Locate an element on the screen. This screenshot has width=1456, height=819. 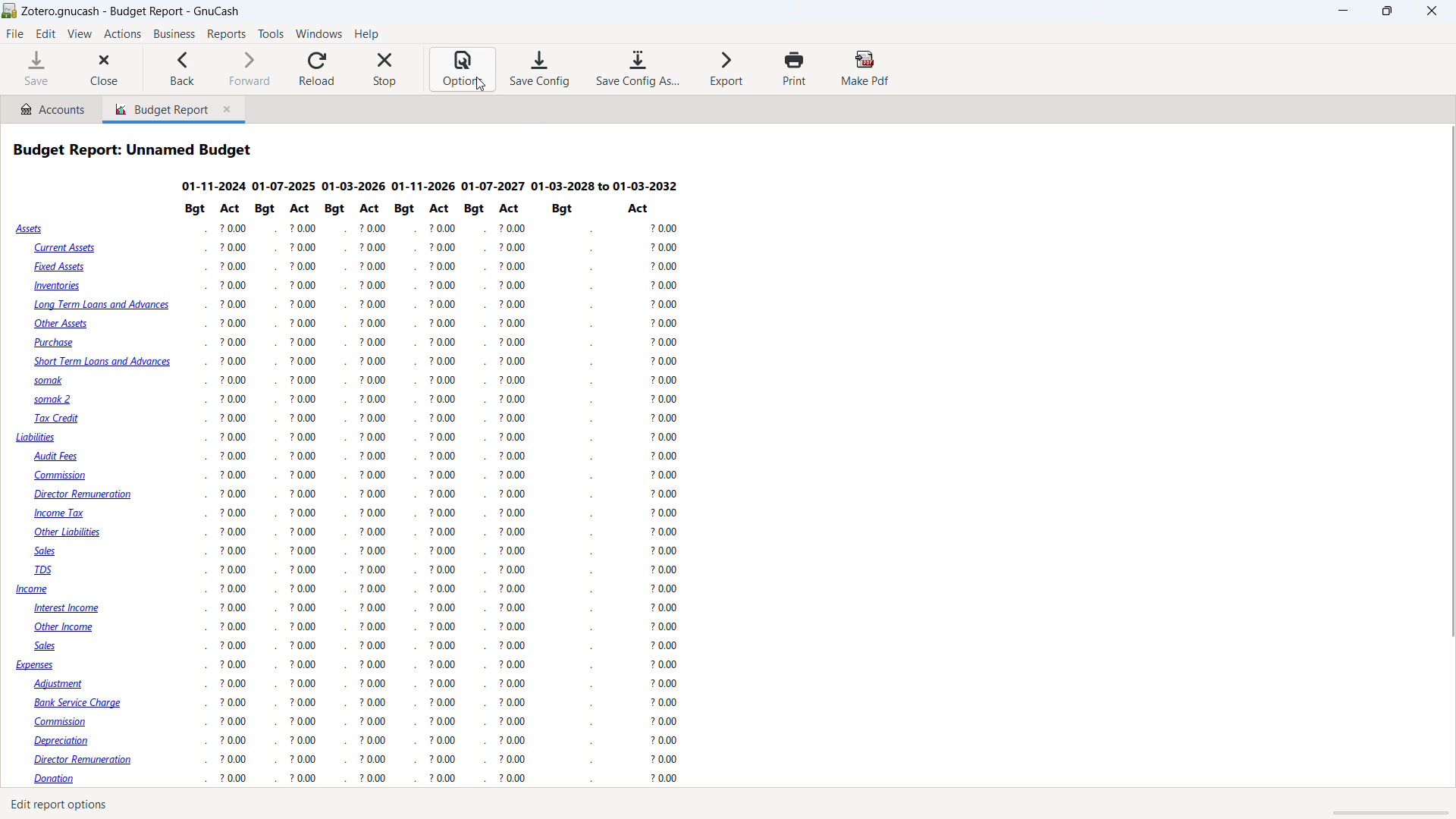
Sales is located at coordinates (48, 646).